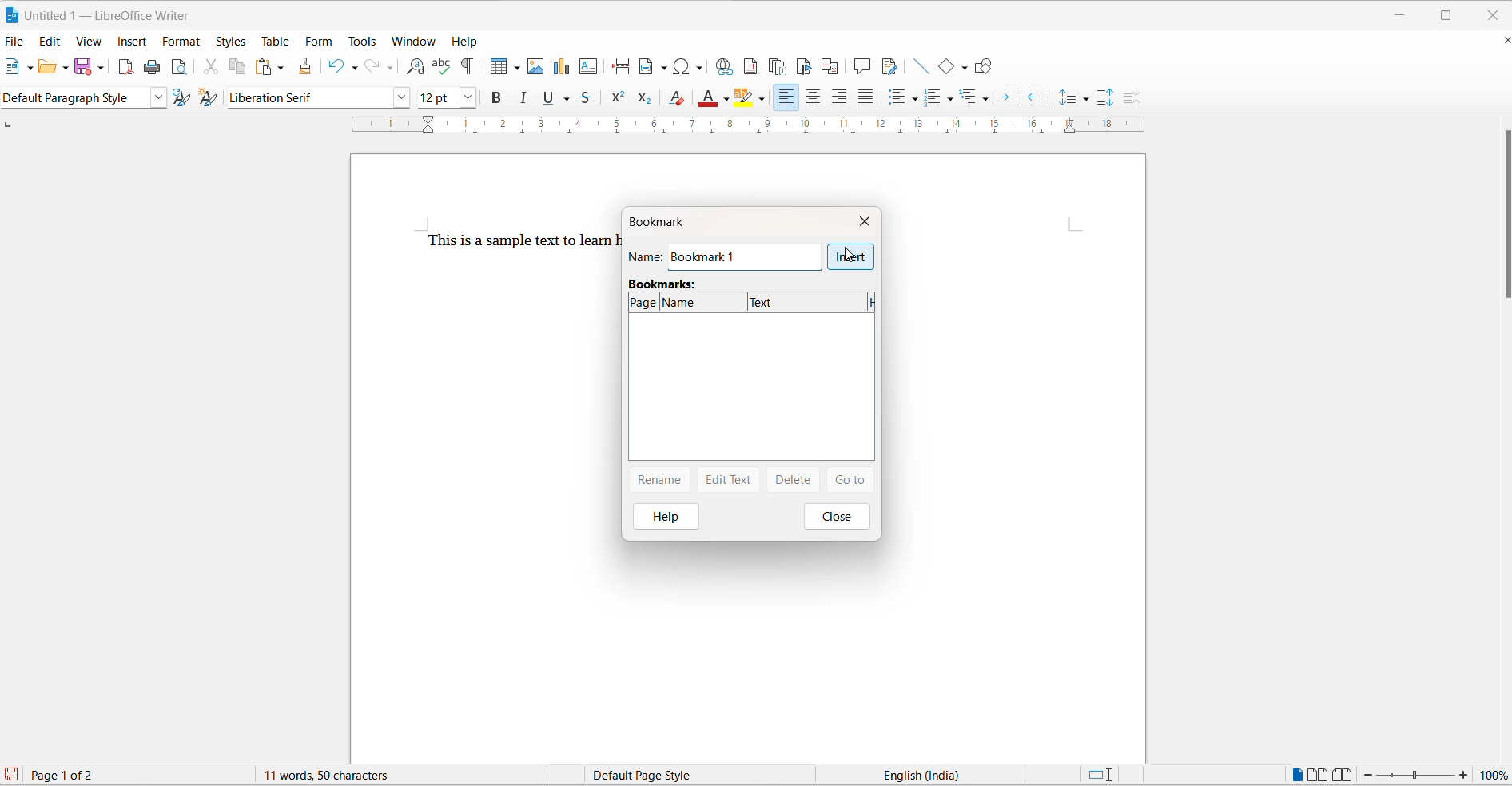  I want to click on name heading, so click(648, 256).